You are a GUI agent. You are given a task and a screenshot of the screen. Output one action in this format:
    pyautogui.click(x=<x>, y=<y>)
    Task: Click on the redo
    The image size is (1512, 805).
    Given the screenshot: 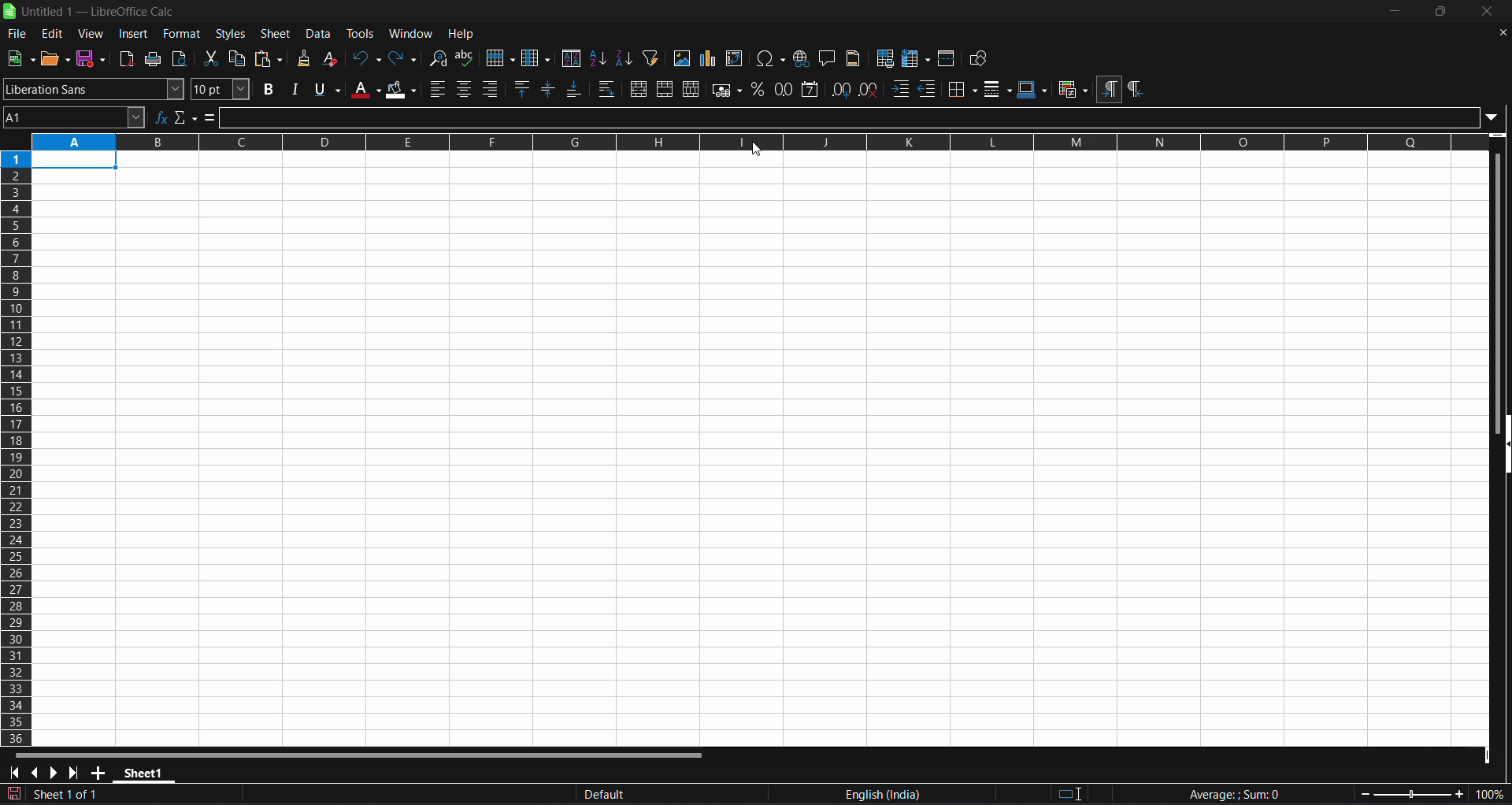 What is the action you would take?
    pyautogui.click(x=402, y=58)
    